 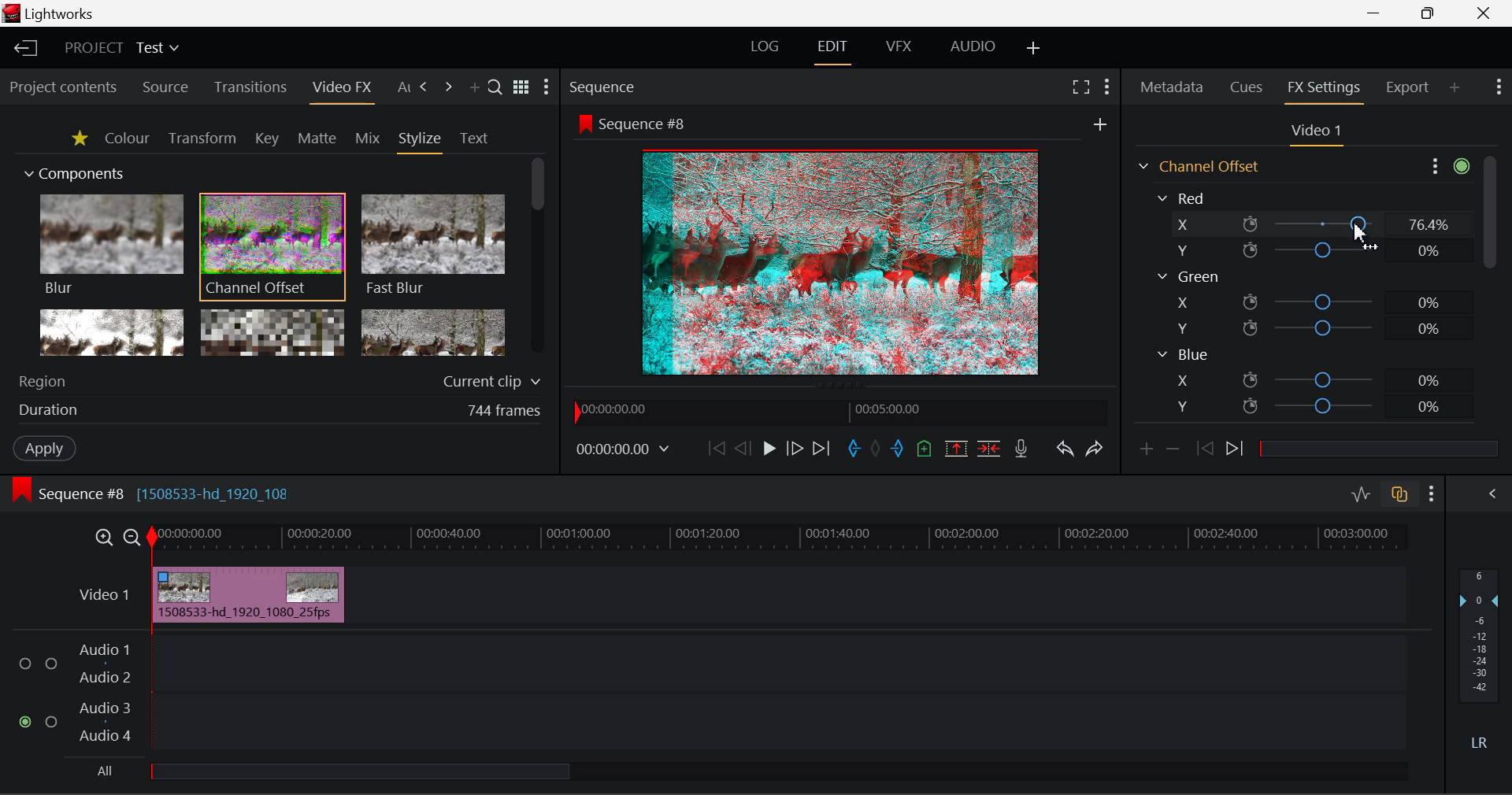 I want to click on Remove All Marks, so click(x=875, y=449).